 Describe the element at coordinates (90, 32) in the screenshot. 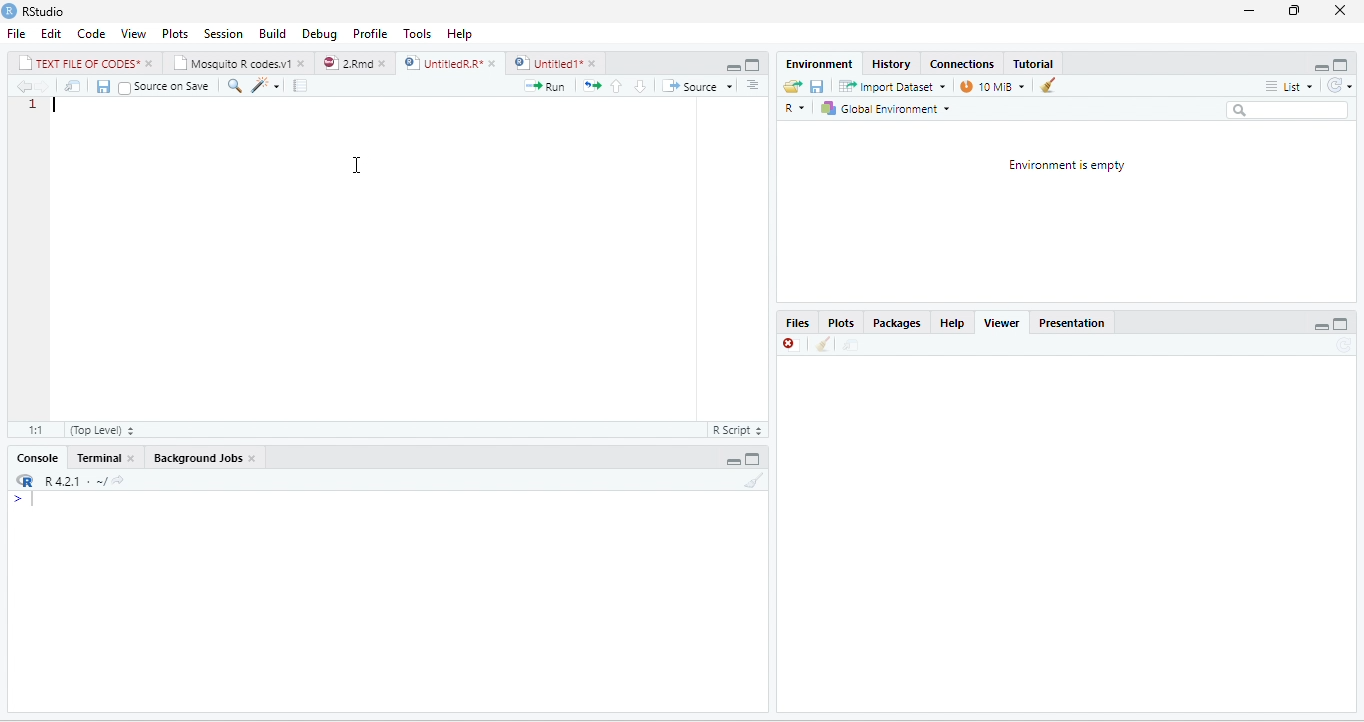

I see `Code` at that location.